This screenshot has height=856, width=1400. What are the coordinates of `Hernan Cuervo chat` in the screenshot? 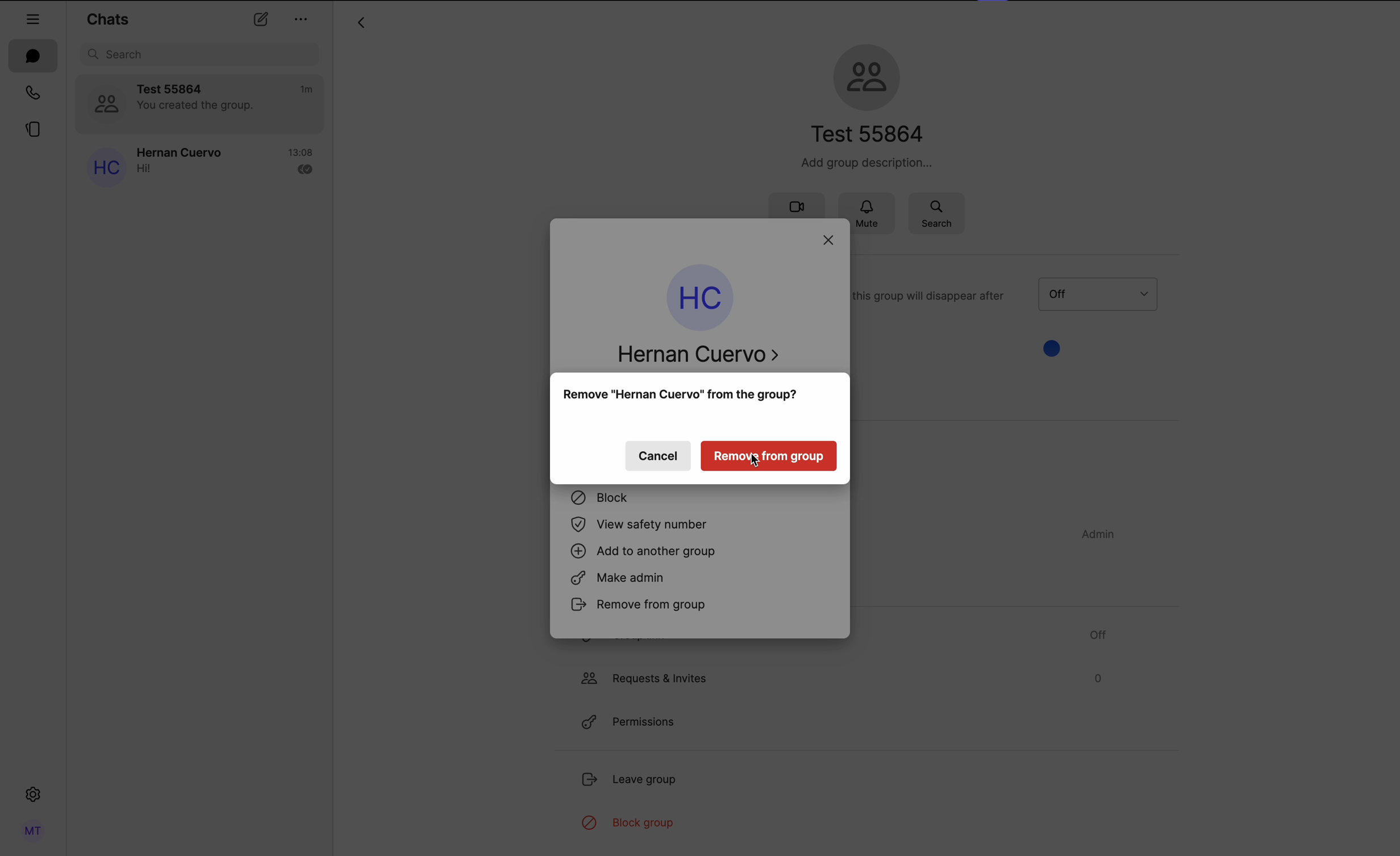 It's located at (198, 165).